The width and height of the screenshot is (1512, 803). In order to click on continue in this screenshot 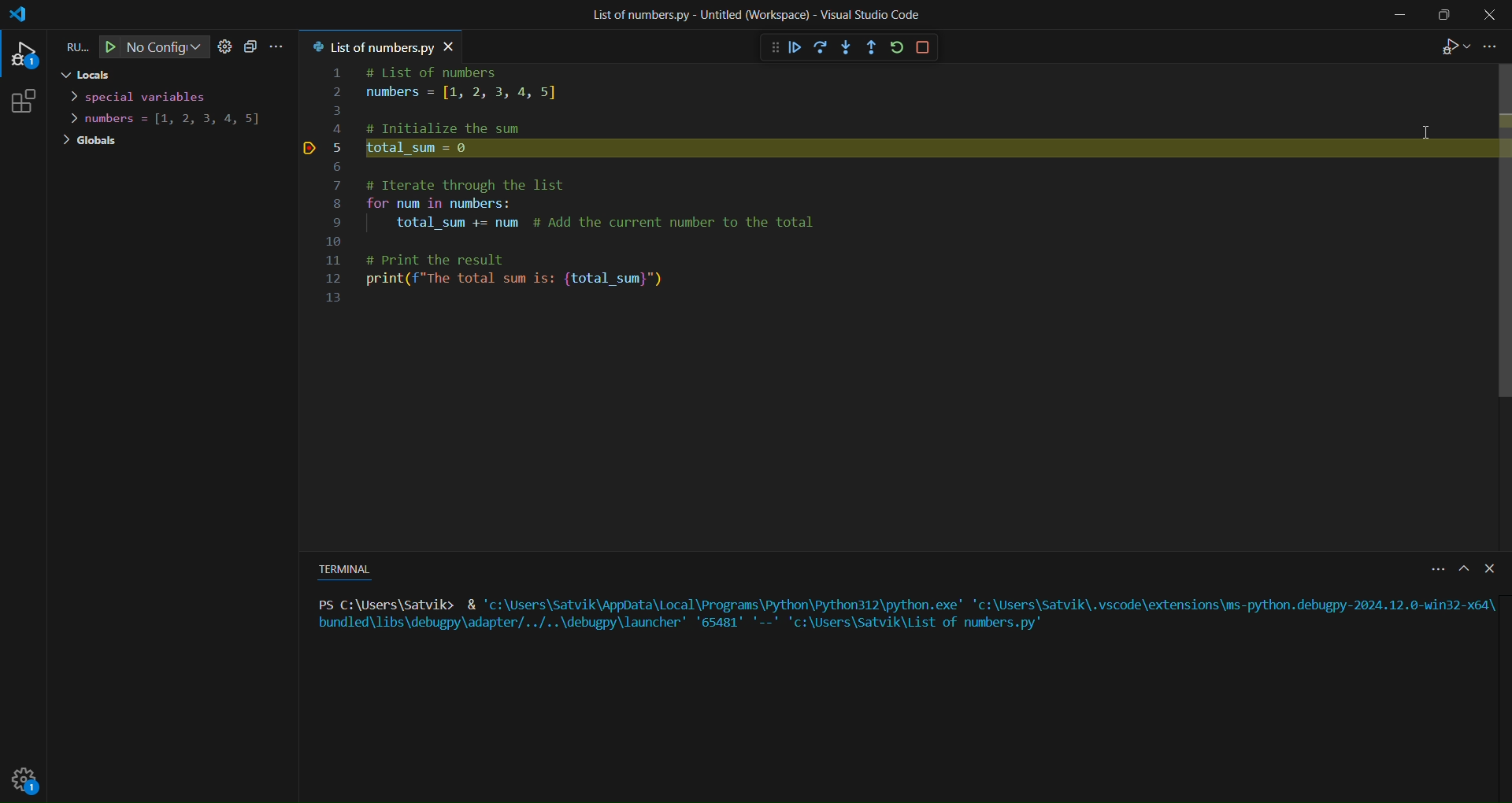, I will do `click(793, 47)`.